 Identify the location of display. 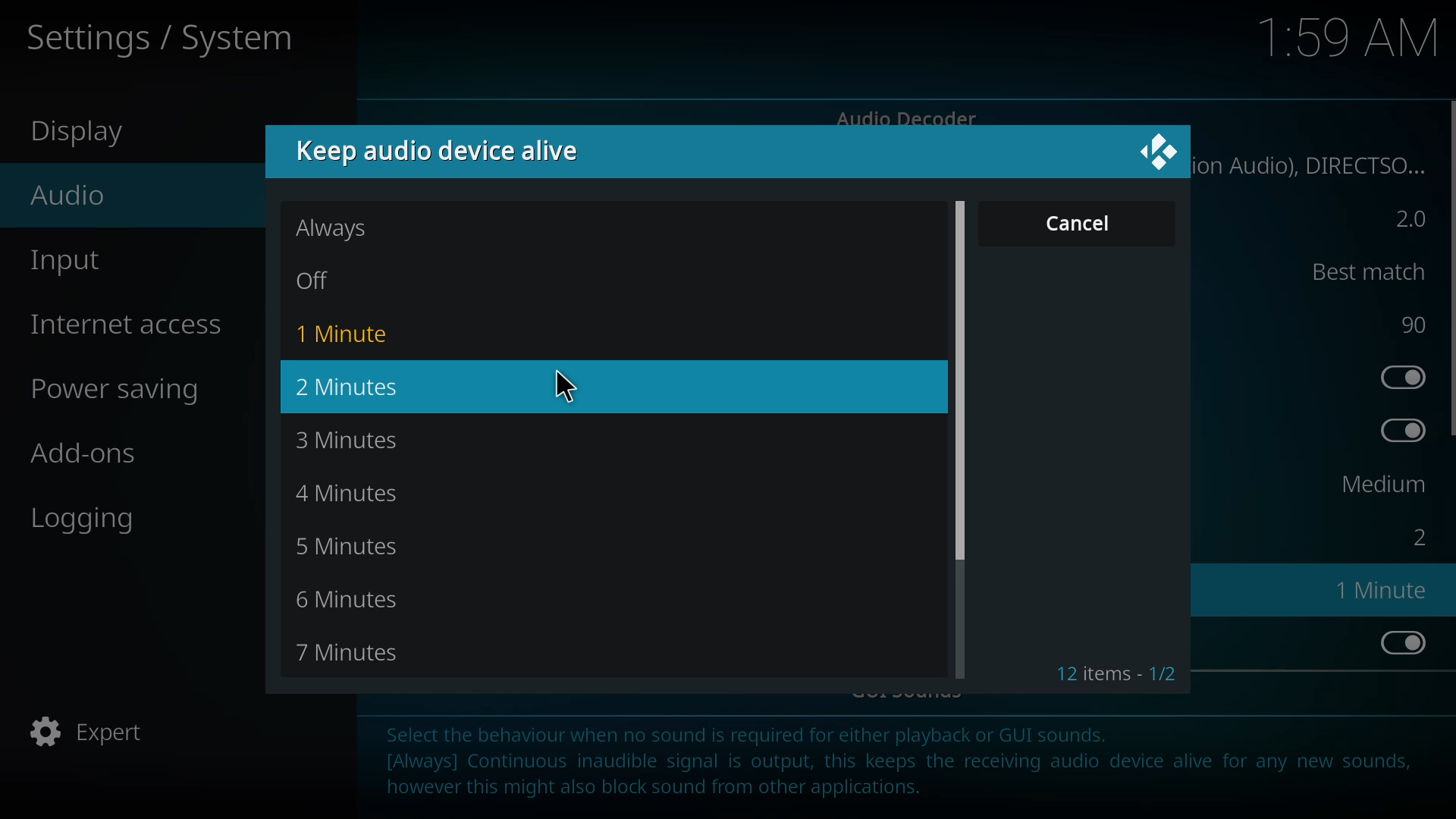
(83, 133).